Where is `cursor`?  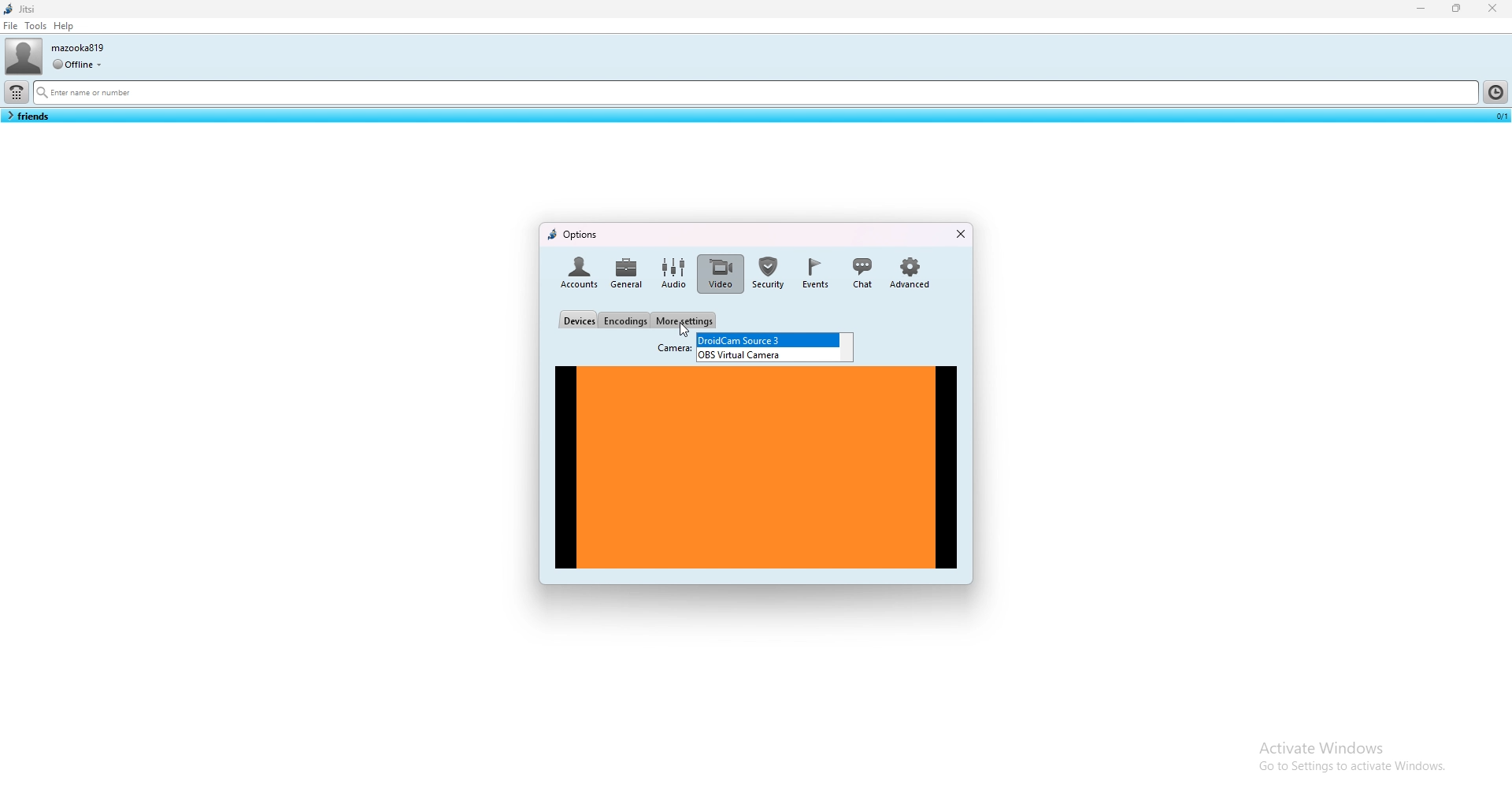 cursor is located at coordinates (684, 329).